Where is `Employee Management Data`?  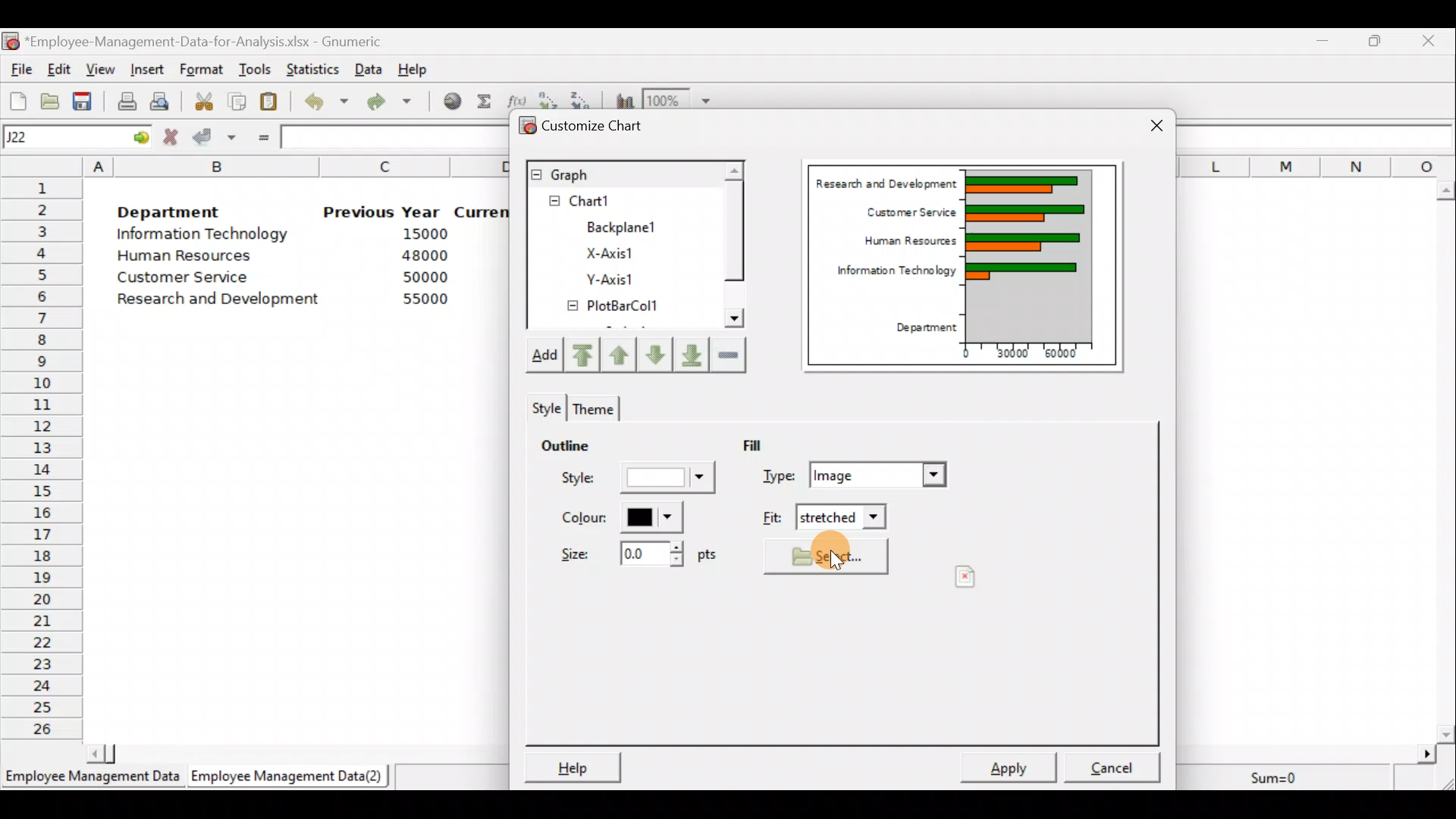 Employee Management Data is located at coordinates (90, 778).